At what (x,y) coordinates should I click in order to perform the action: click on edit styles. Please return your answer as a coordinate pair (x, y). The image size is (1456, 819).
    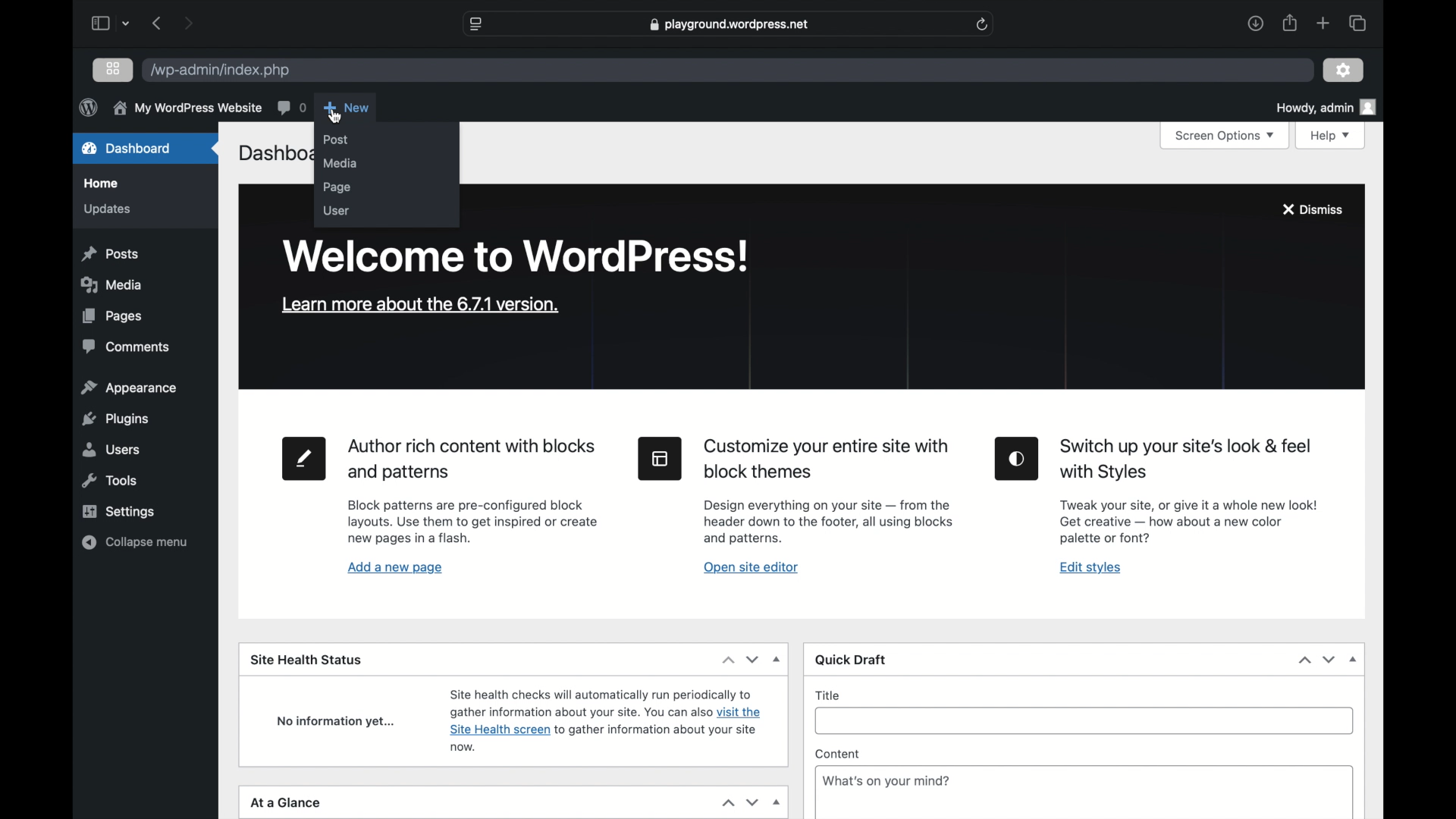
    Looking at the image, I should click on (1090, 567).